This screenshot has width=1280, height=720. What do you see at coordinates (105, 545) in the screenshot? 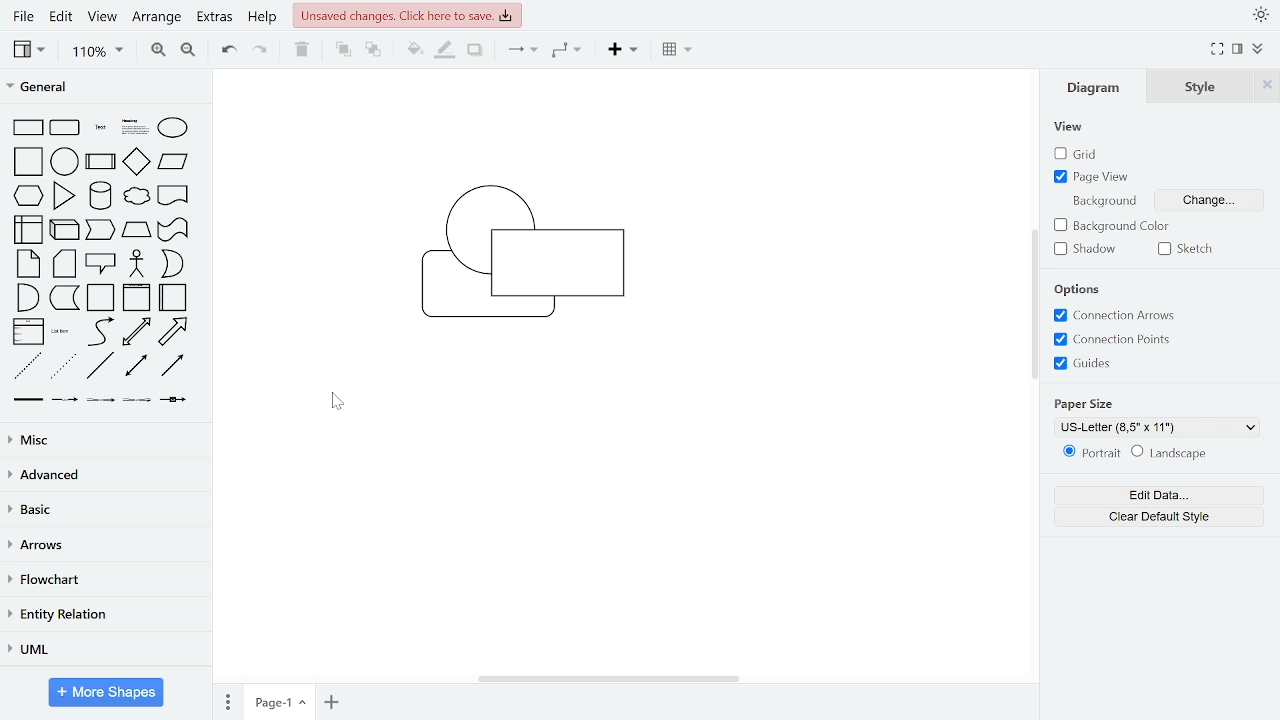
I see `arrows` at bounding box center [105, 545].